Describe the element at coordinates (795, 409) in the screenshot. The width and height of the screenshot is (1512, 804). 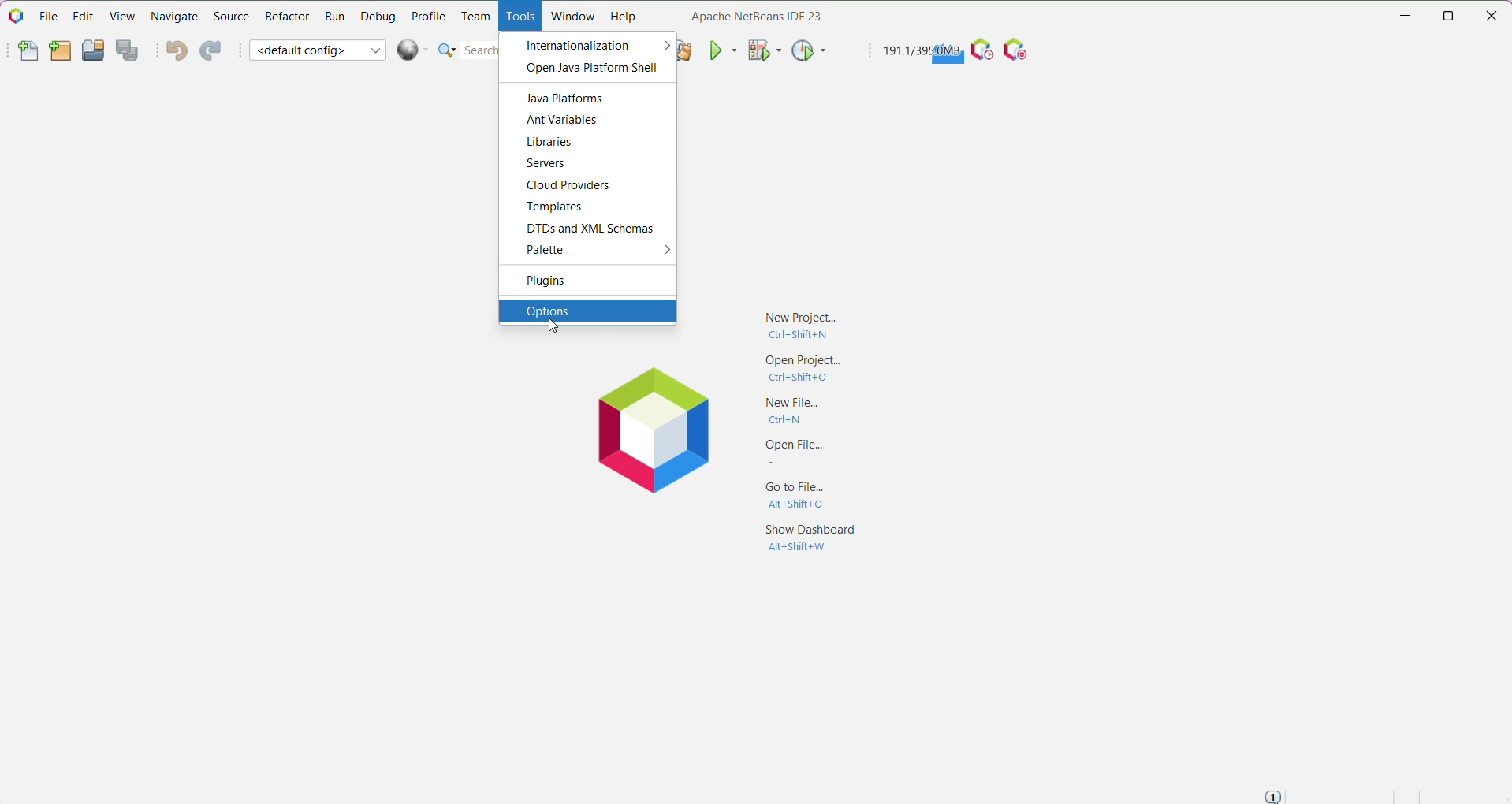
I see `New File` at that location.